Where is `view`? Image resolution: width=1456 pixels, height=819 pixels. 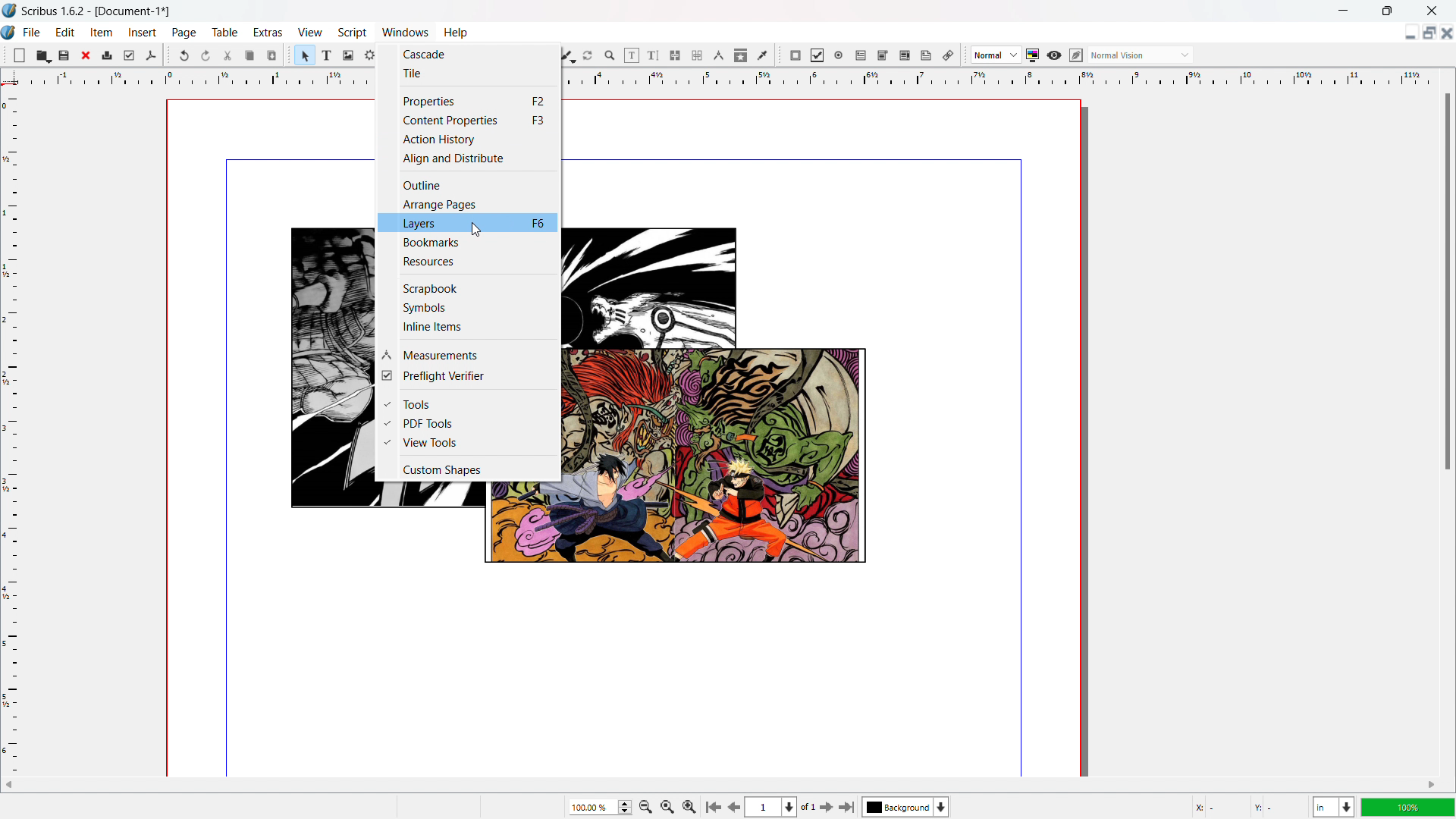 view is located at coordinates (309, 32).